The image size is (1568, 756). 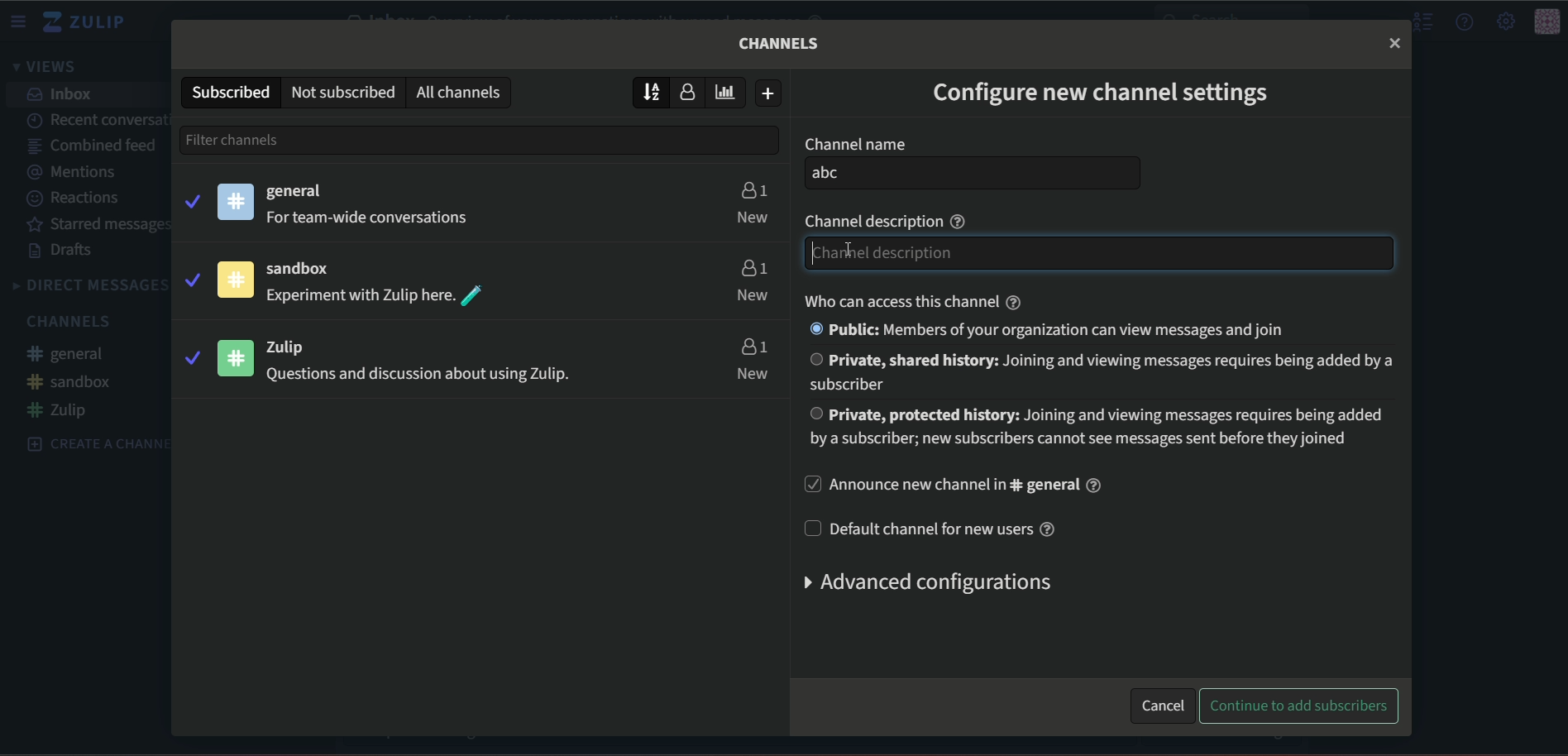 What do you see at coordinates (59, 251) in the screenshot?
I see `drafts` at bounding box center [59, 251].